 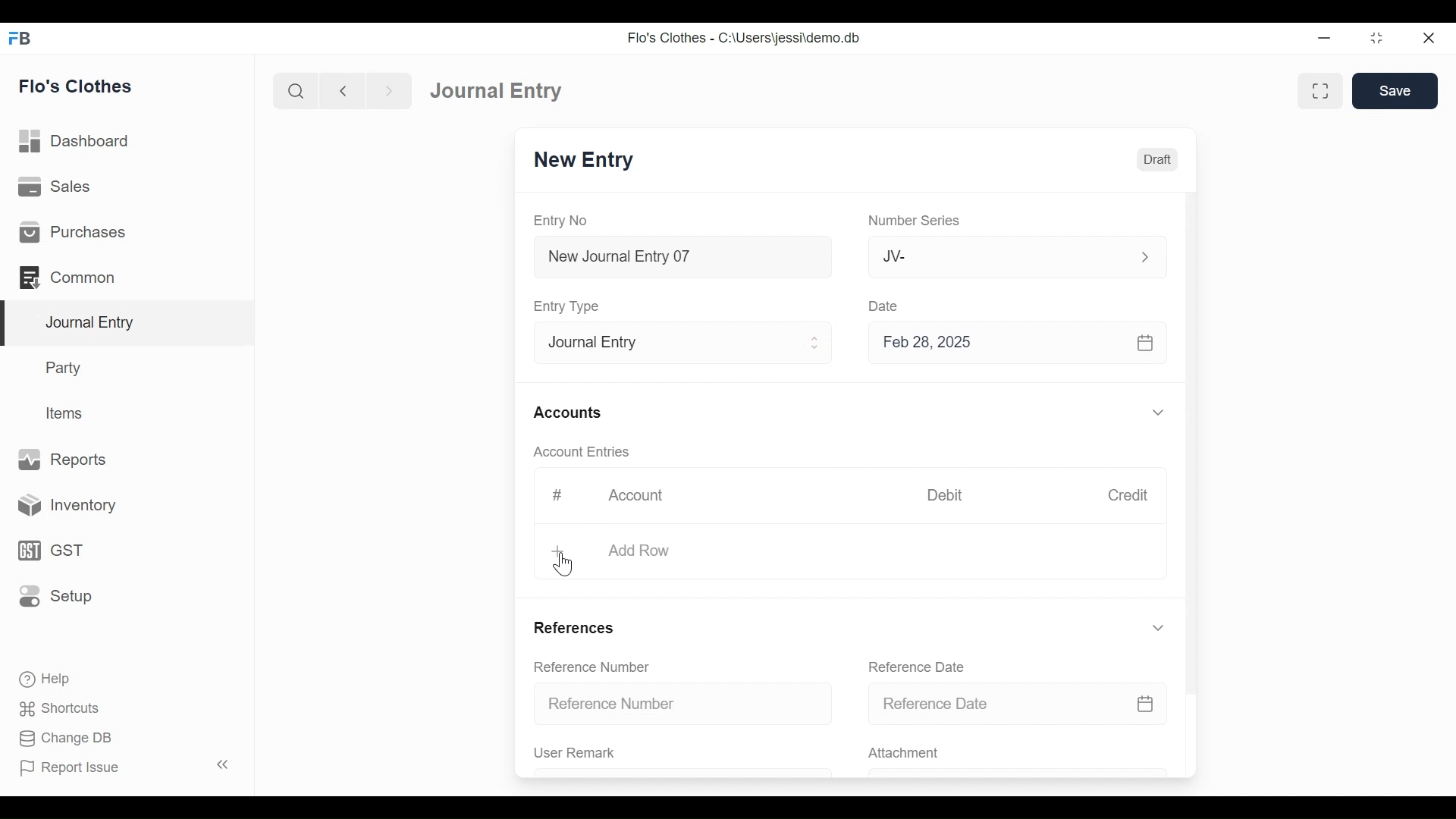 What do you see at coordinates (20, 39) in the screenshot?
I see `Frappe Books Desktop Icon` at bounding box center [20, 39].